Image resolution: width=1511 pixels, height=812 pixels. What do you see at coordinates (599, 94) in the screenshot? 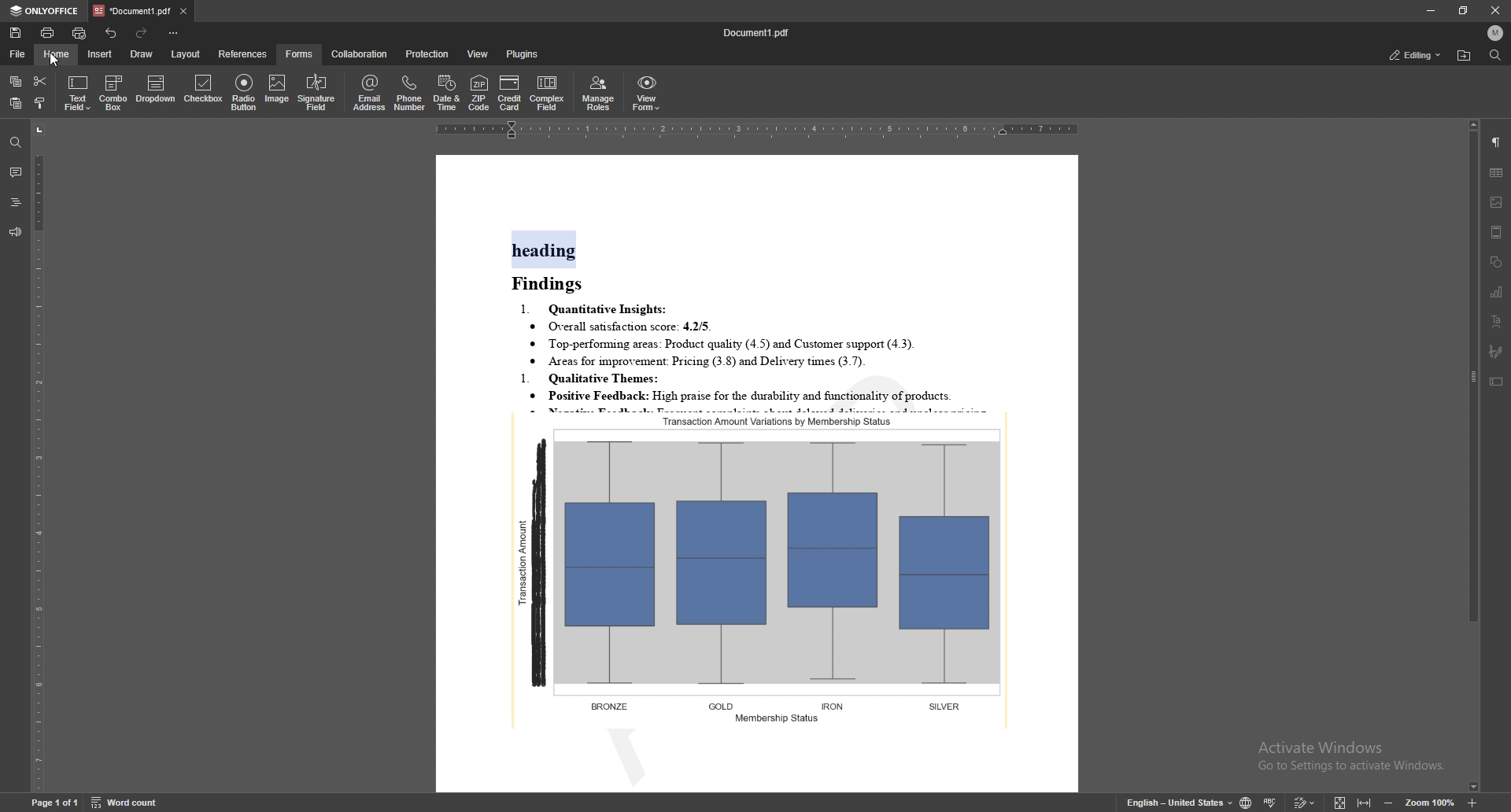
I see `manage roles` at bounding box center [599, 94].